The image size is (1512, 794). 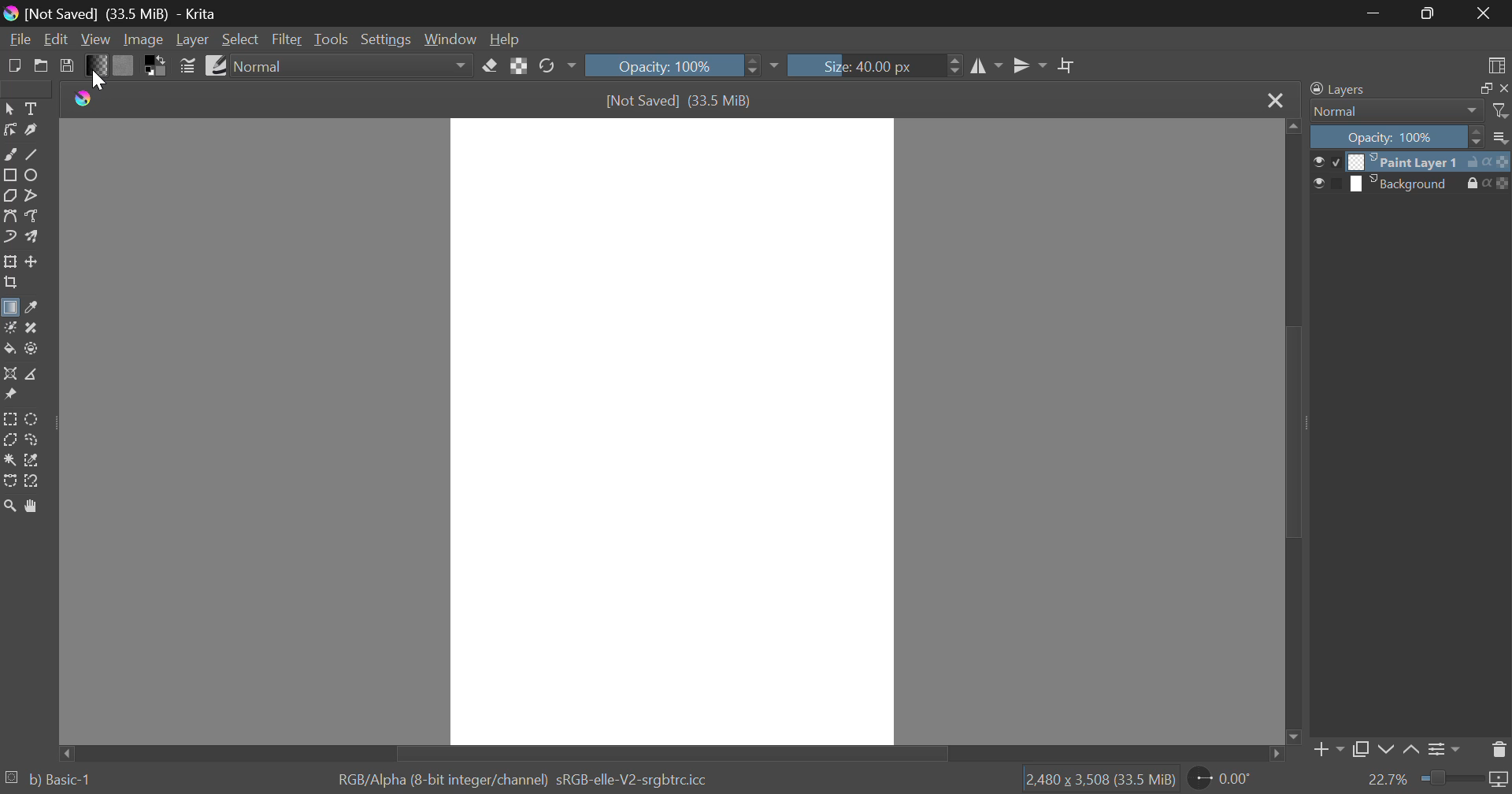 I want to click on Vertical Mirror Flip, so click(x=987, y=68).